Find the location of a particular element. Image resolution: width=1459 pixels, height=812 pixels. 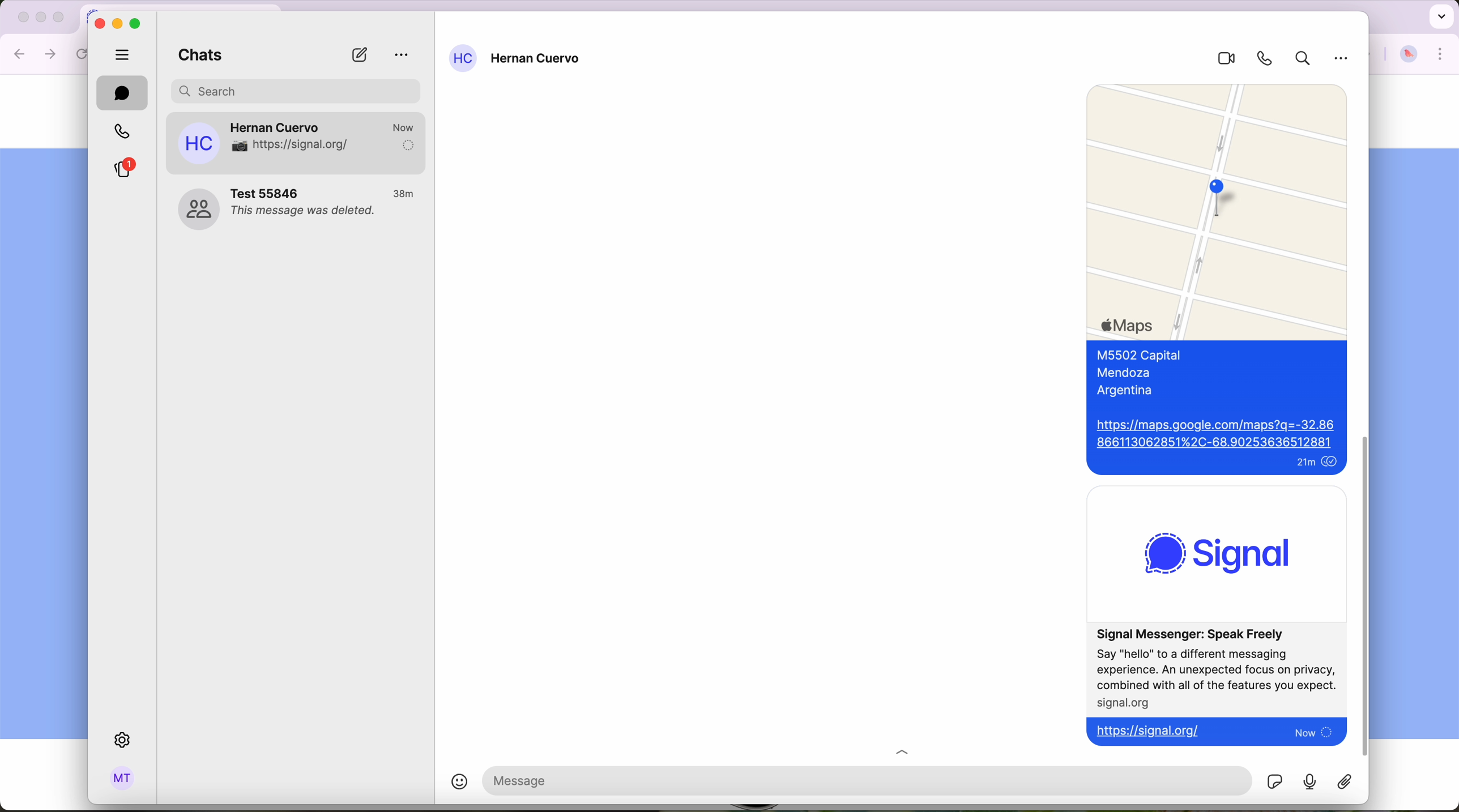

video call is located at coordinates (1221, 59).